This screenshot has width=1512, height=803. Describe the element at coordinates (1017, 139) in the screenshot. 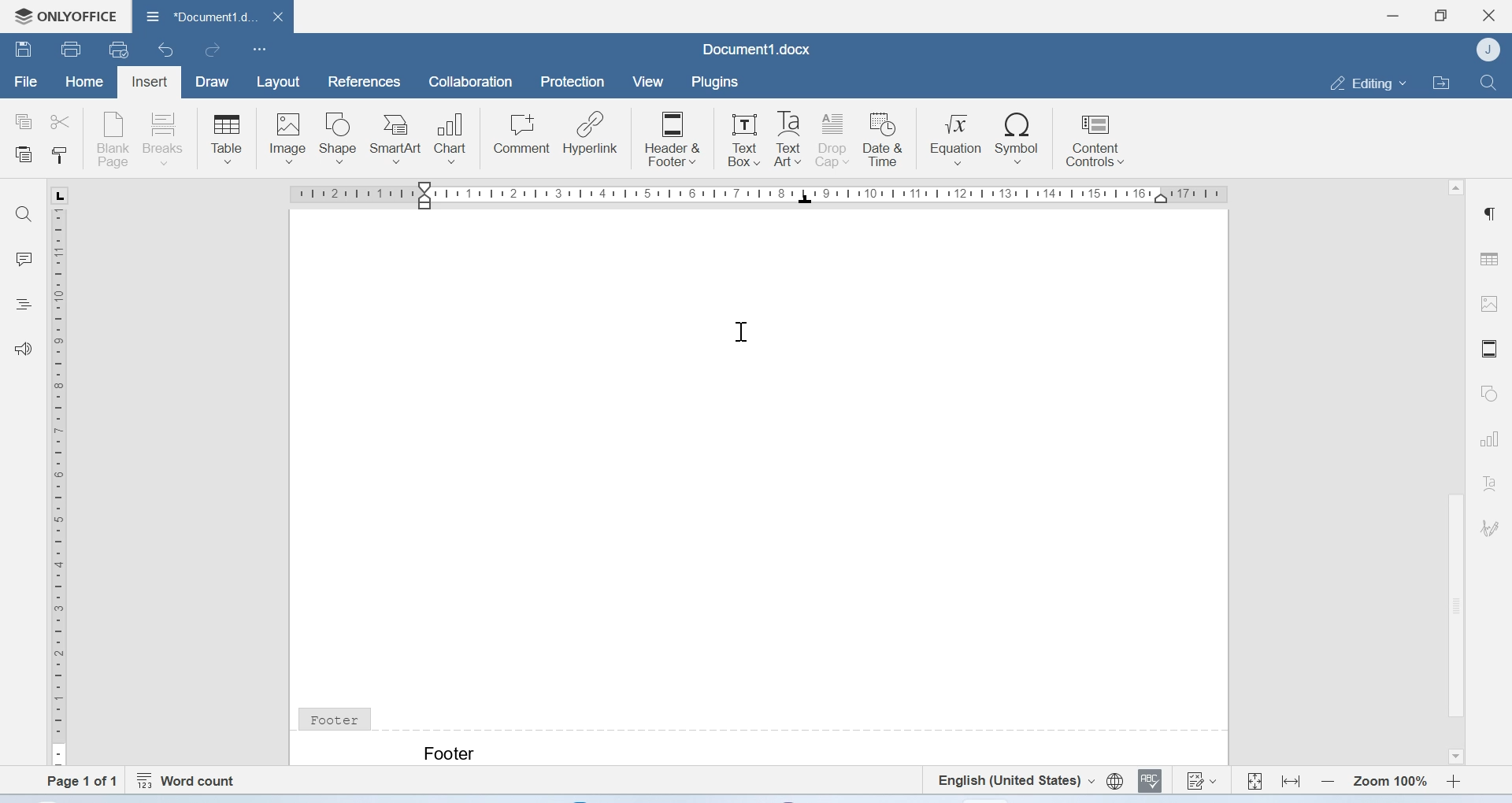

I see `Symbol` at that location.